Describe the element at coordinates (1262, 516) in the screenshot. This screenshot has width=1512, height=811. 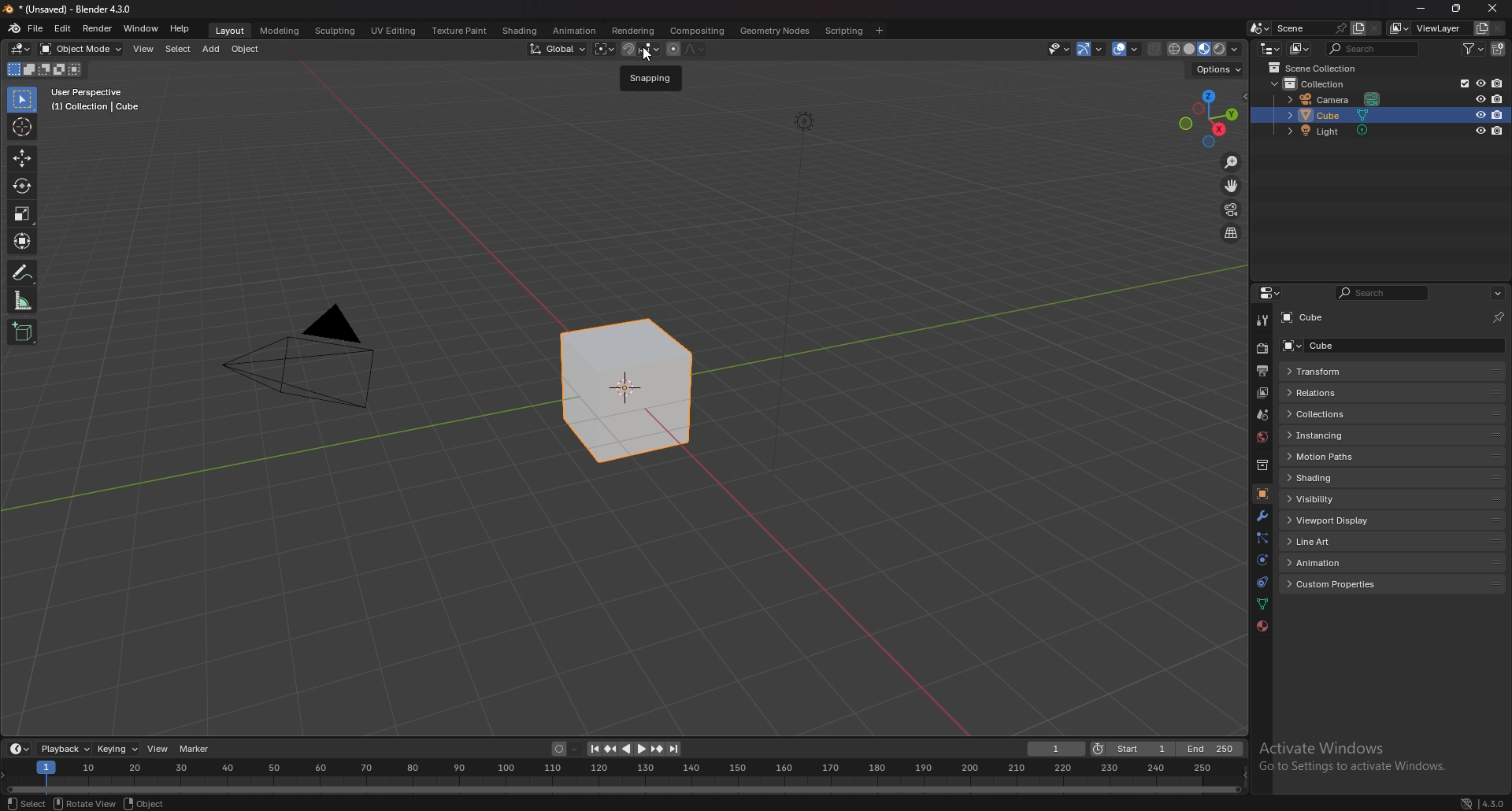
I see `modifier` at that location.